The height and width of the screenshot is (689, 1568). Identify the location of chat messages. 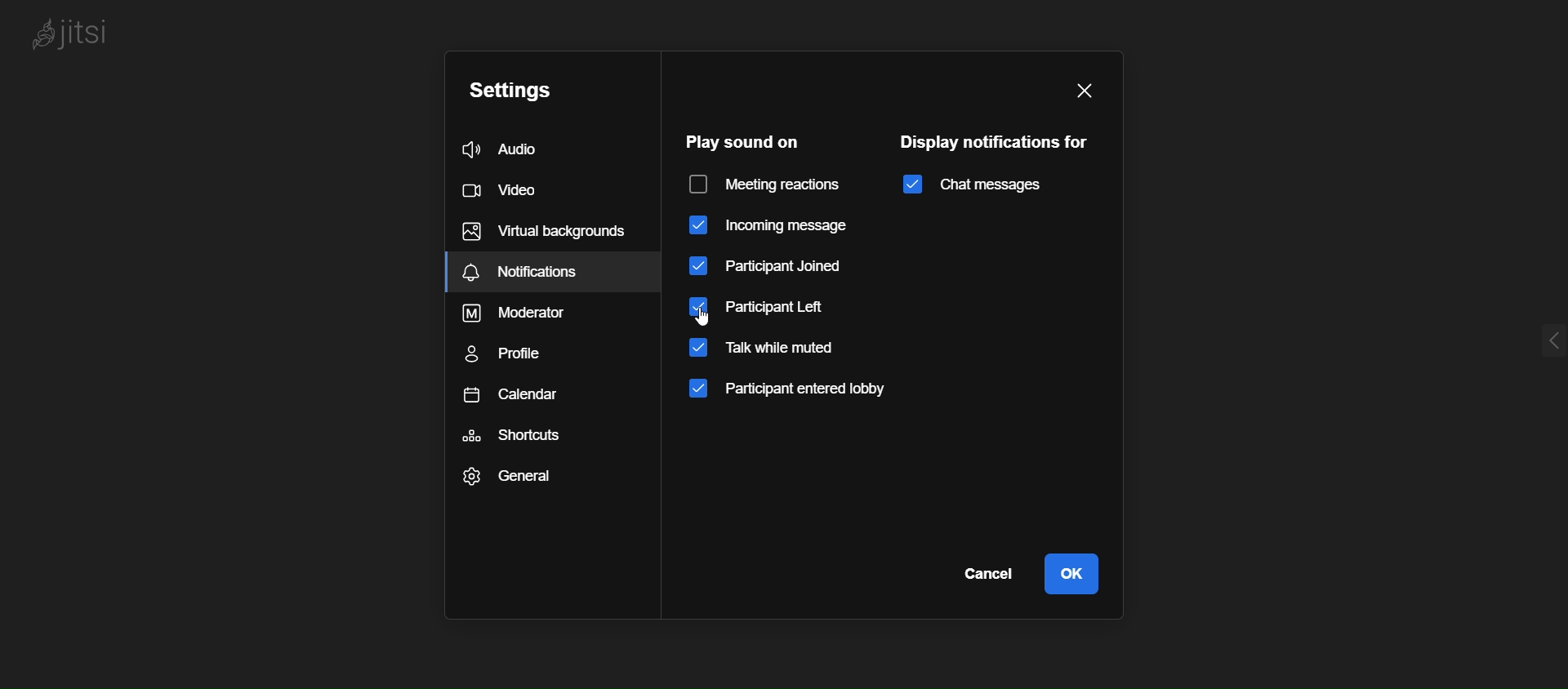
(972, 184).